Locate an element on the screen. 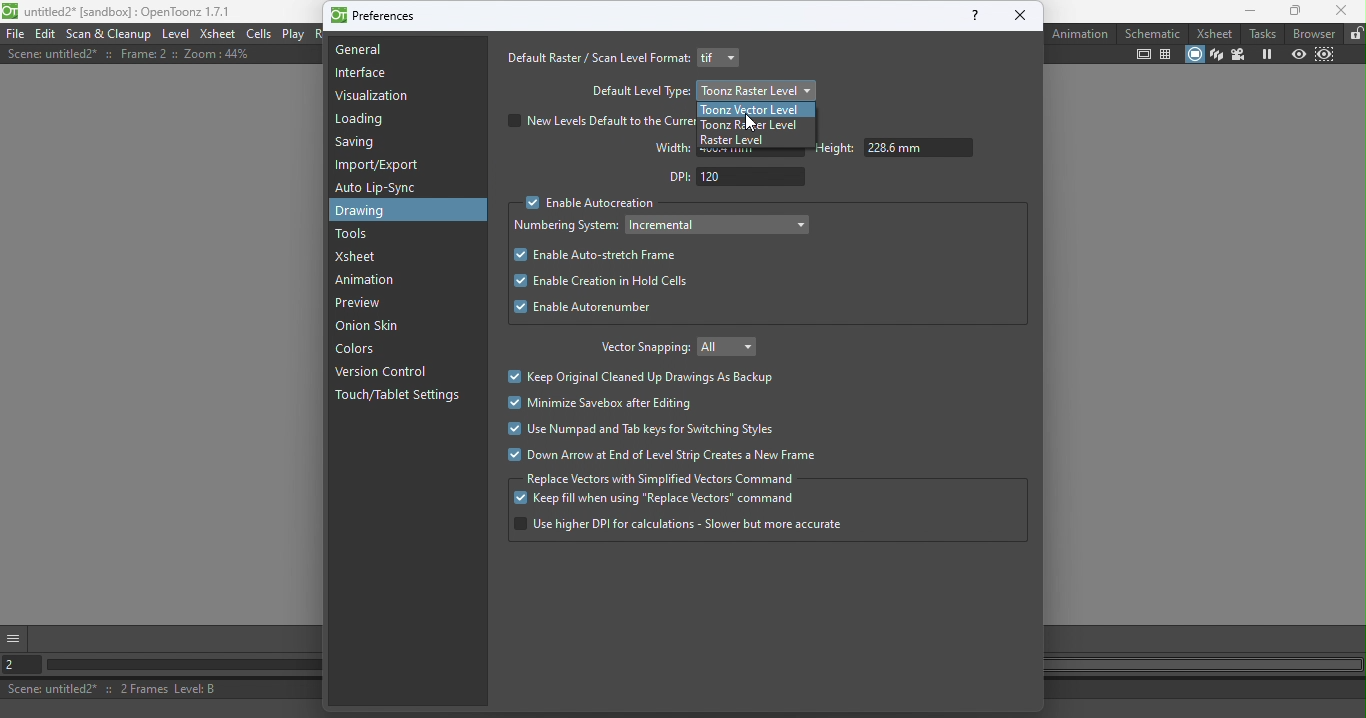  colors is located at coordinates (361, 351).